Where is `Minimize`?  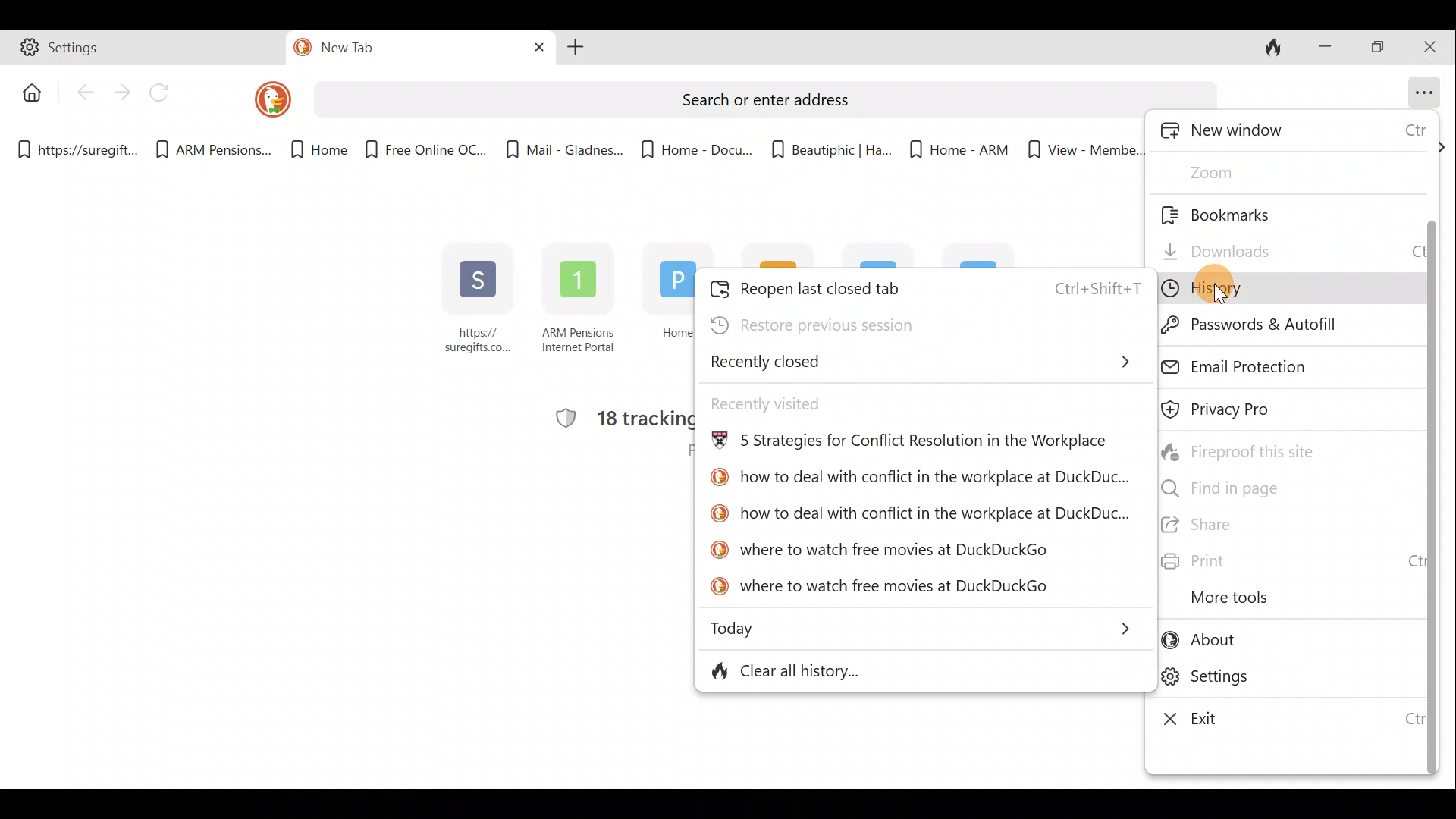 Minimize is located at coordinates (1325, 45).